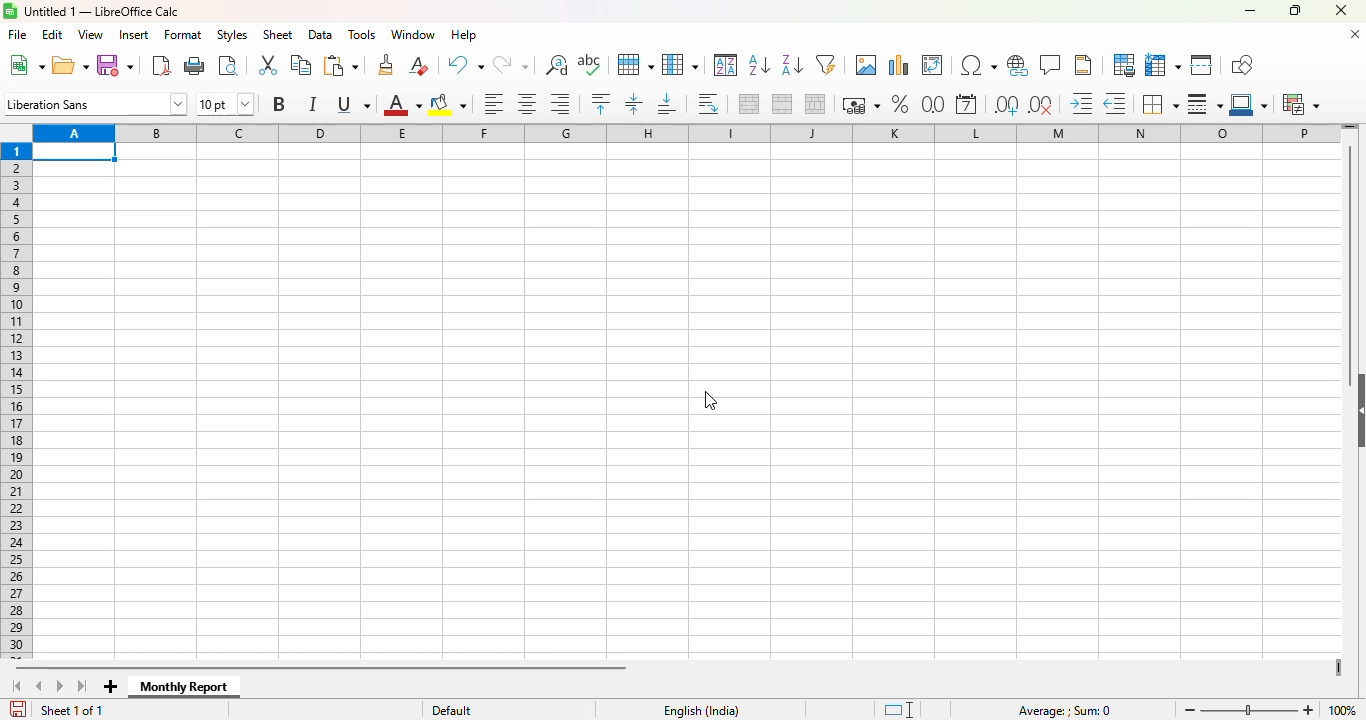 The image size is (1366, 720). I want to click on format as currency, so click(861, 105).